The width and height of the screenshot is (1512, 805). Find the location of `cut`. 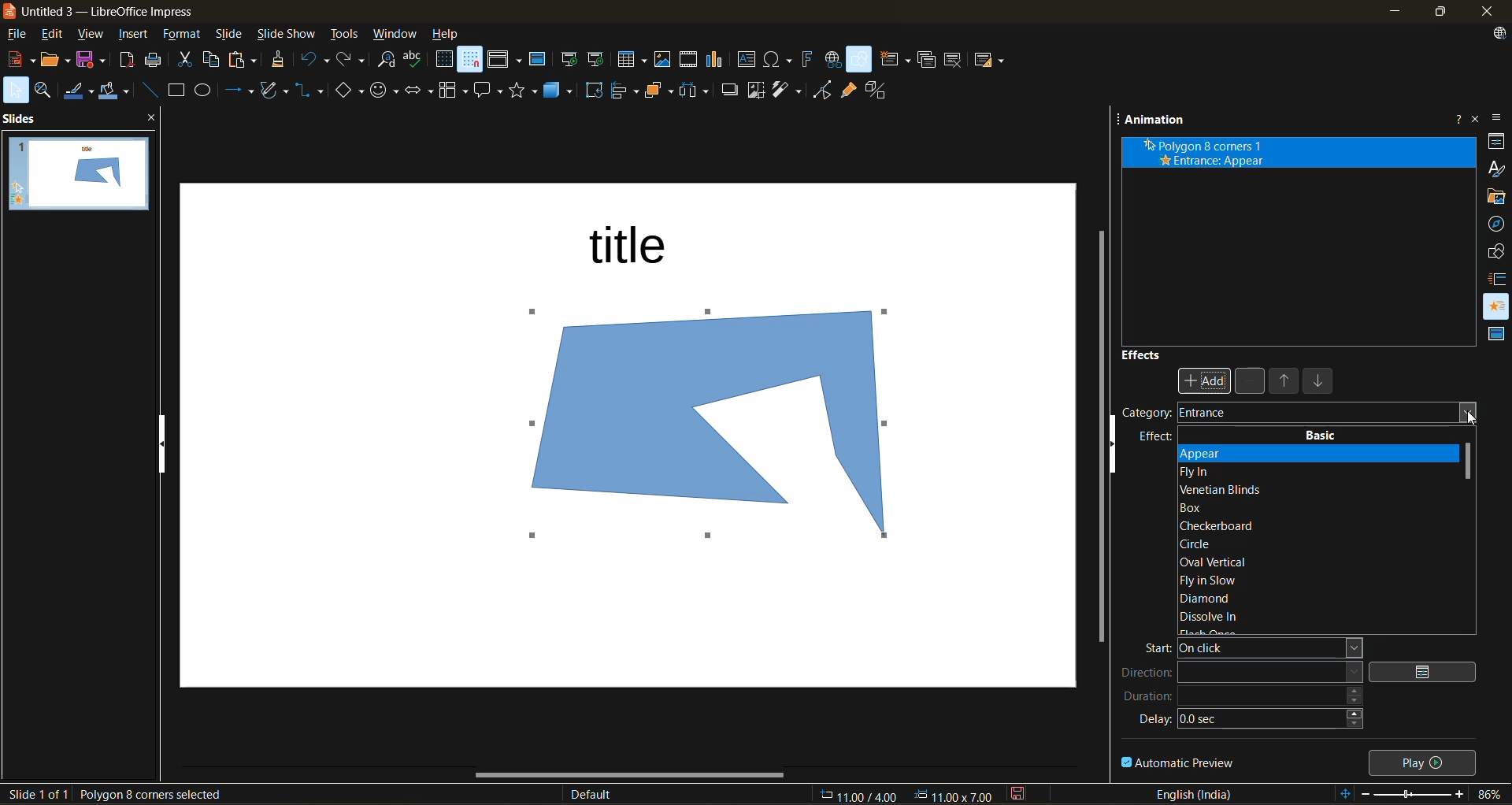

cut is located at coordinates (187, 61).